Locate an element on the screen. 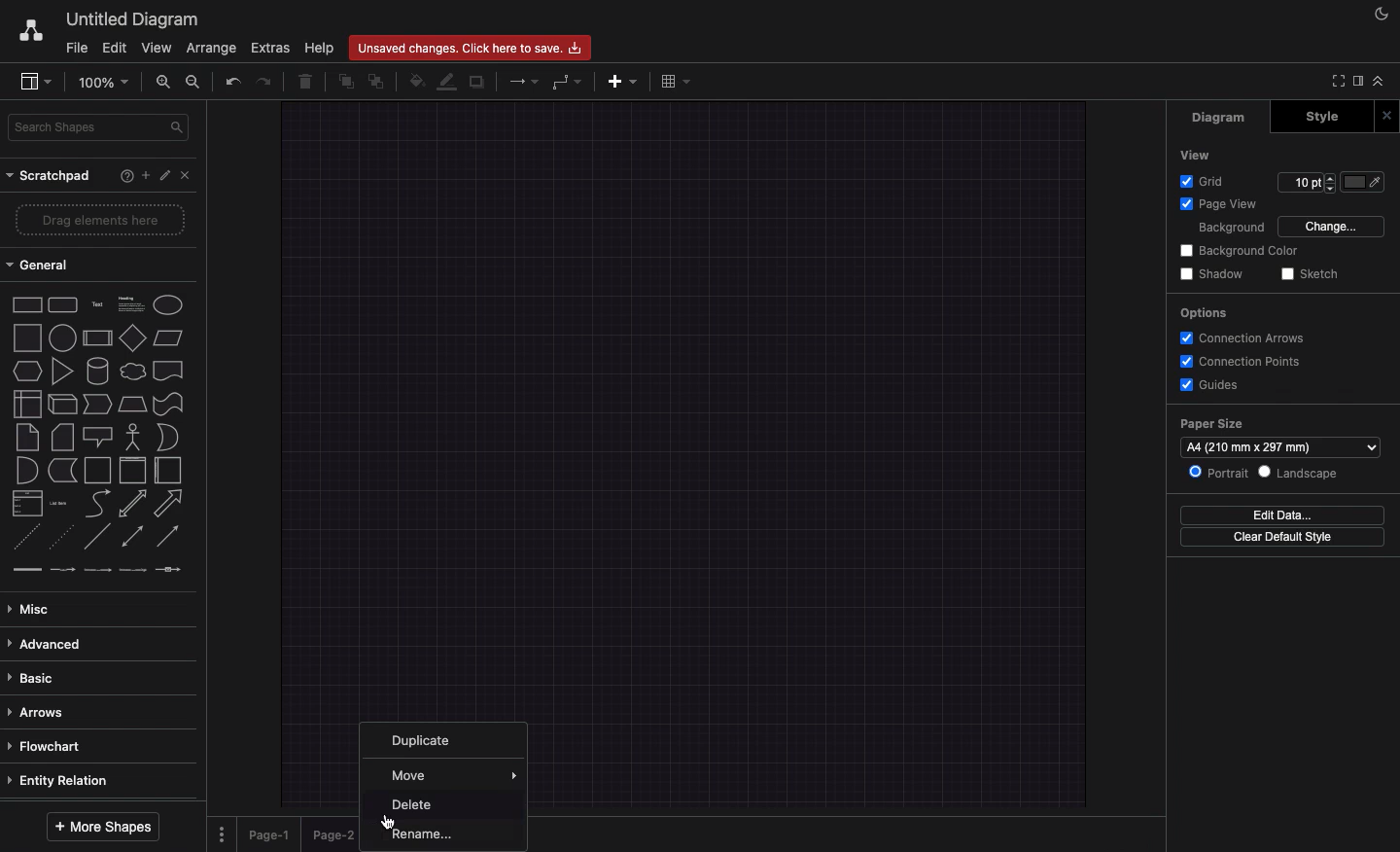 Image resolution: width=1400 pixels, height=852 pixels. Sidebar is located at coordinates (1360, 82).